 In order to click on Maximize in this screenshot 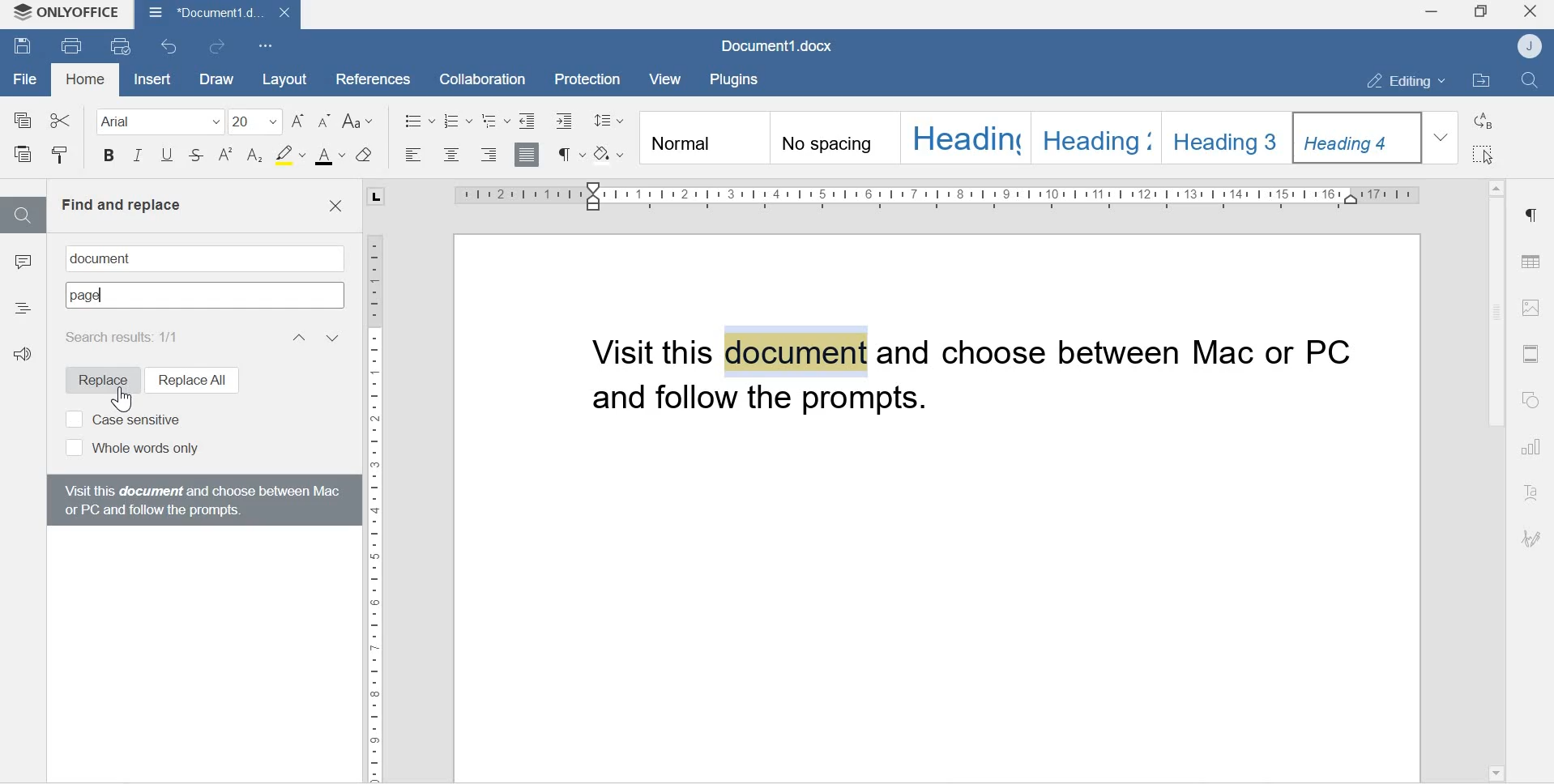, I will do `click(1481, 13)`.